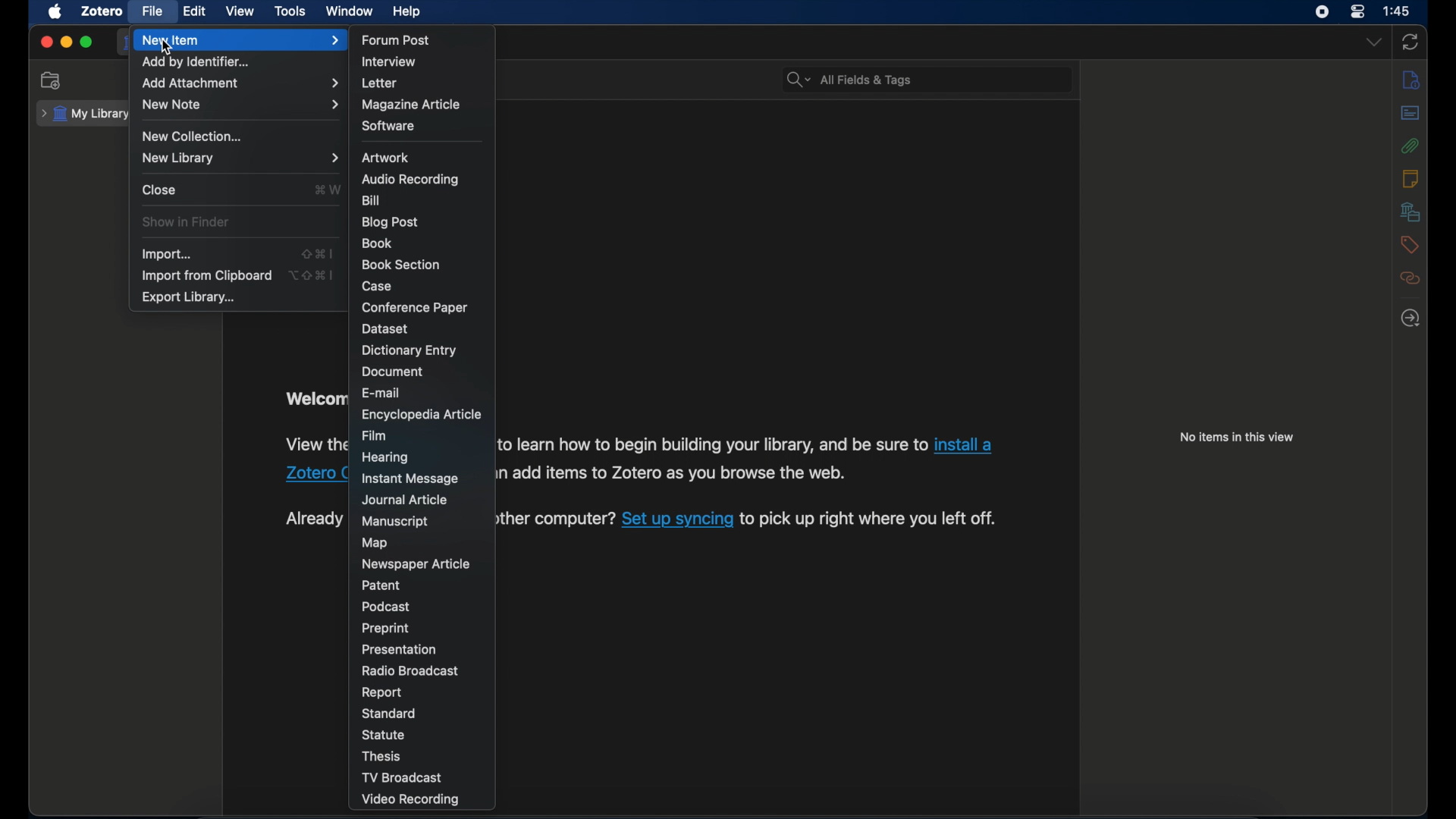  Describe the element at coordinates (349, 11) in the screenshot. I see `window` at that location.